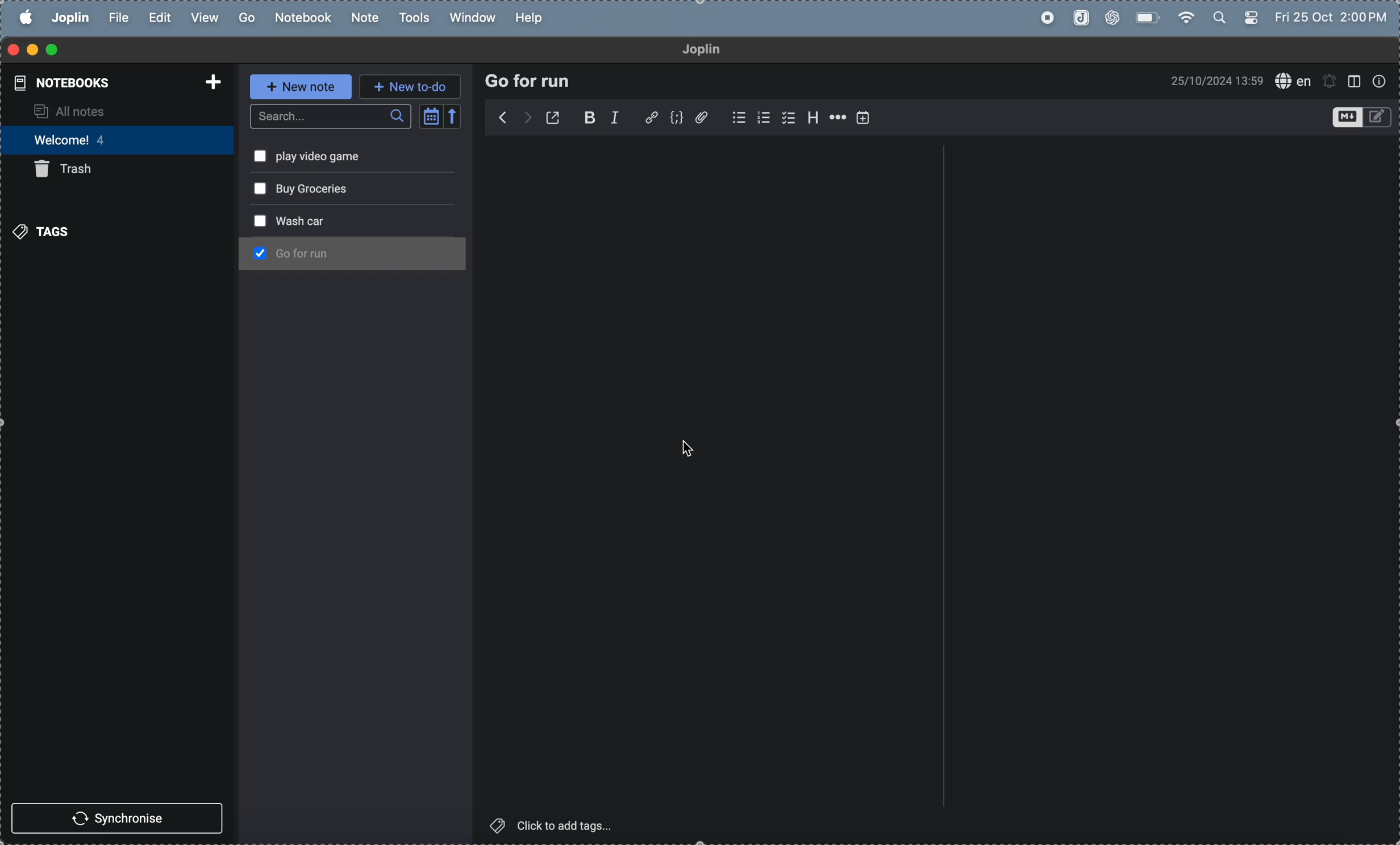 The image size is (1400, 845). Describe the element at coordinates (531, 19) in the screenshot. I see `help` at that location.